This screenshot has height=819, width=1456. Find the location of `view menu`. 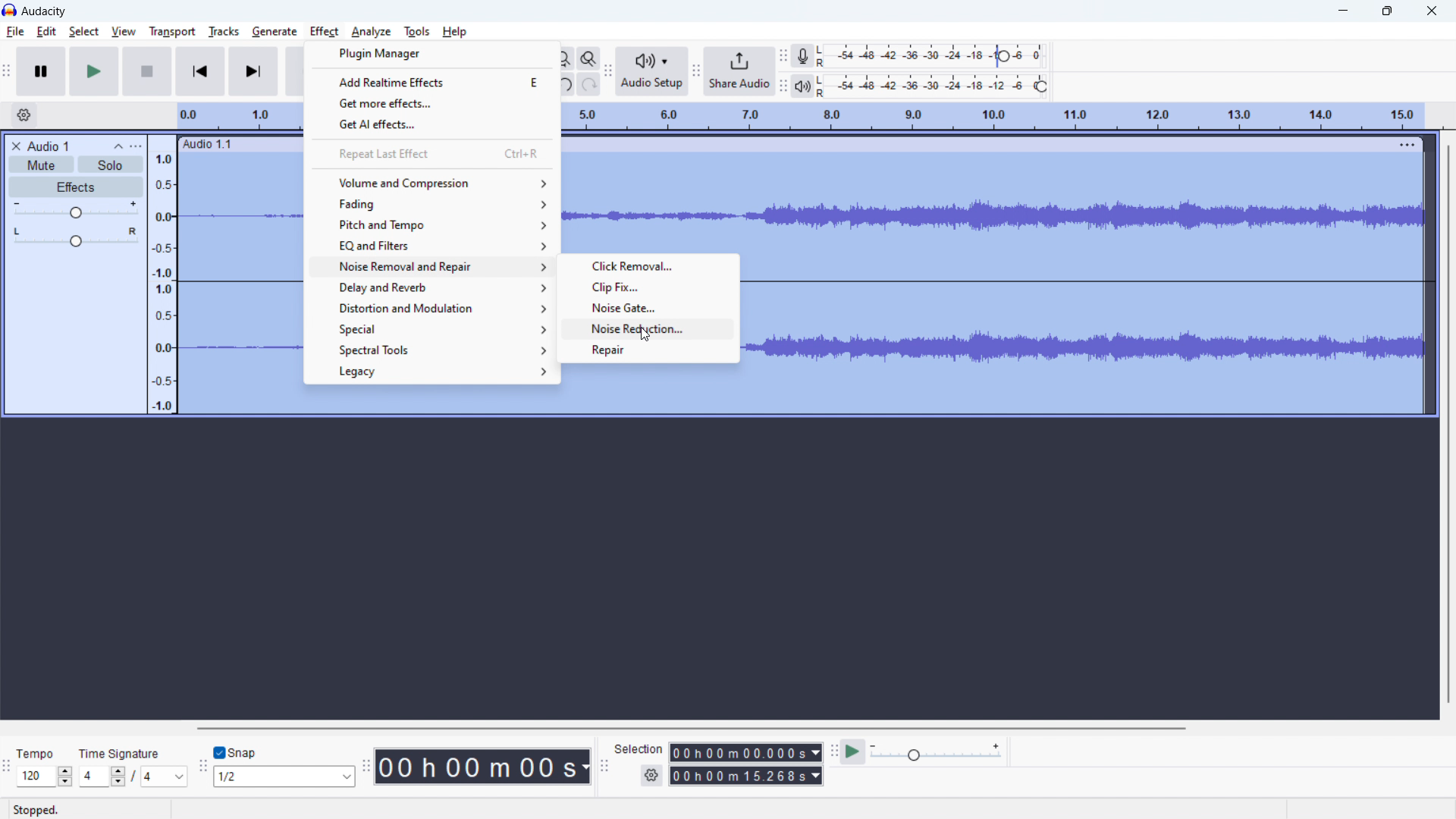

view menu is located at coordinates (137, 146).